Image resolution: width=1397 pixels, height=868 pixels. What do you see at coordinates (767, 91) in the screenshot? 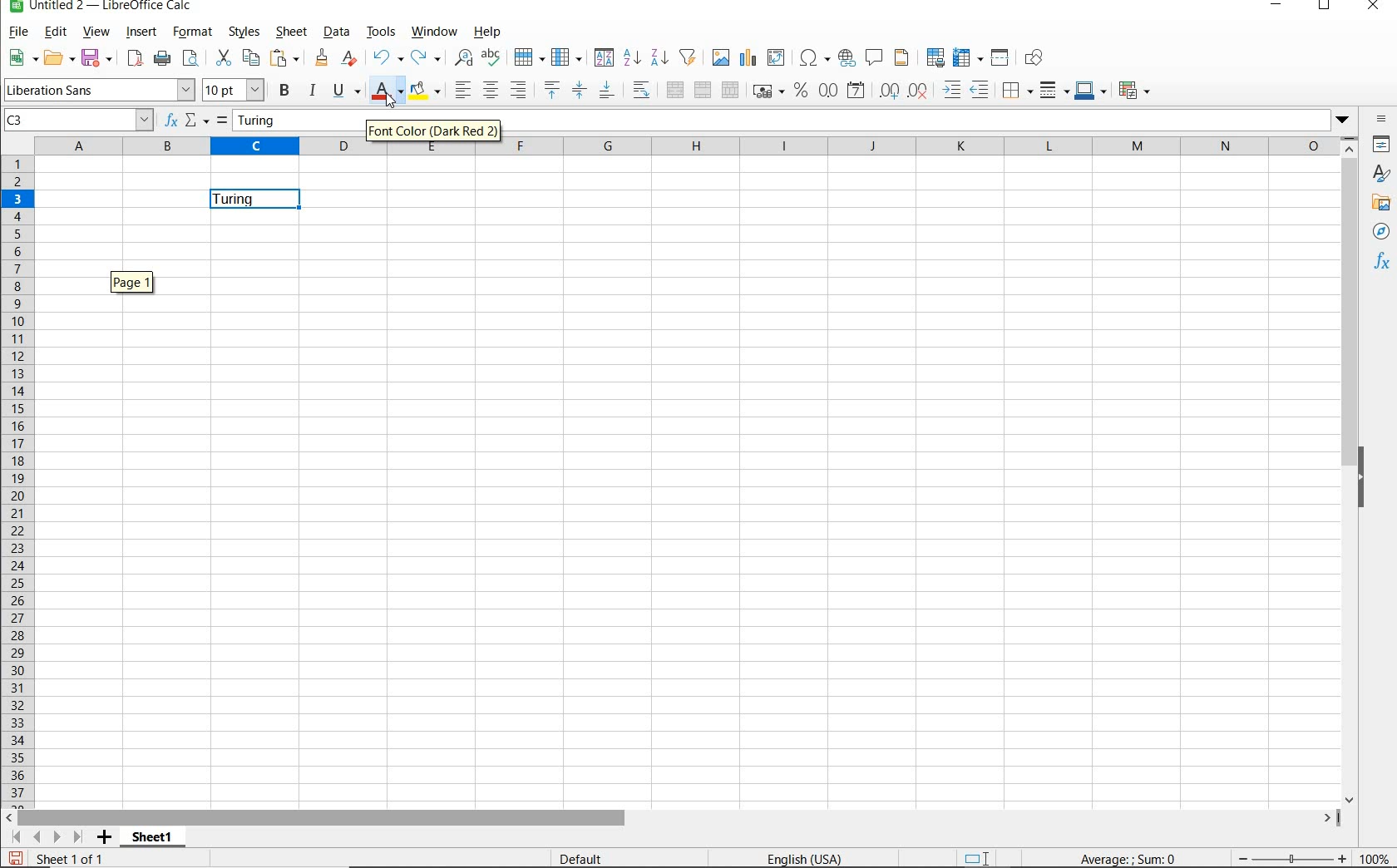
I see `FORMAT AS CURRENCY` at bounding box center [767, 91].